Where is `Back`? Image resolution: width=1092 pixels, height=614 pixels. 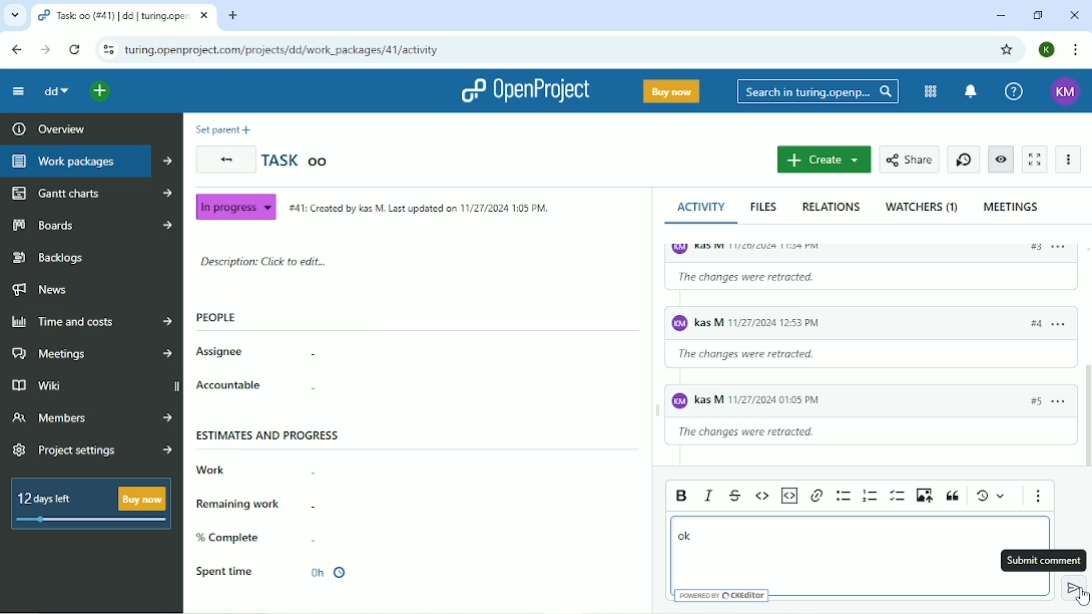 Back is located at coordinates (226, 160).